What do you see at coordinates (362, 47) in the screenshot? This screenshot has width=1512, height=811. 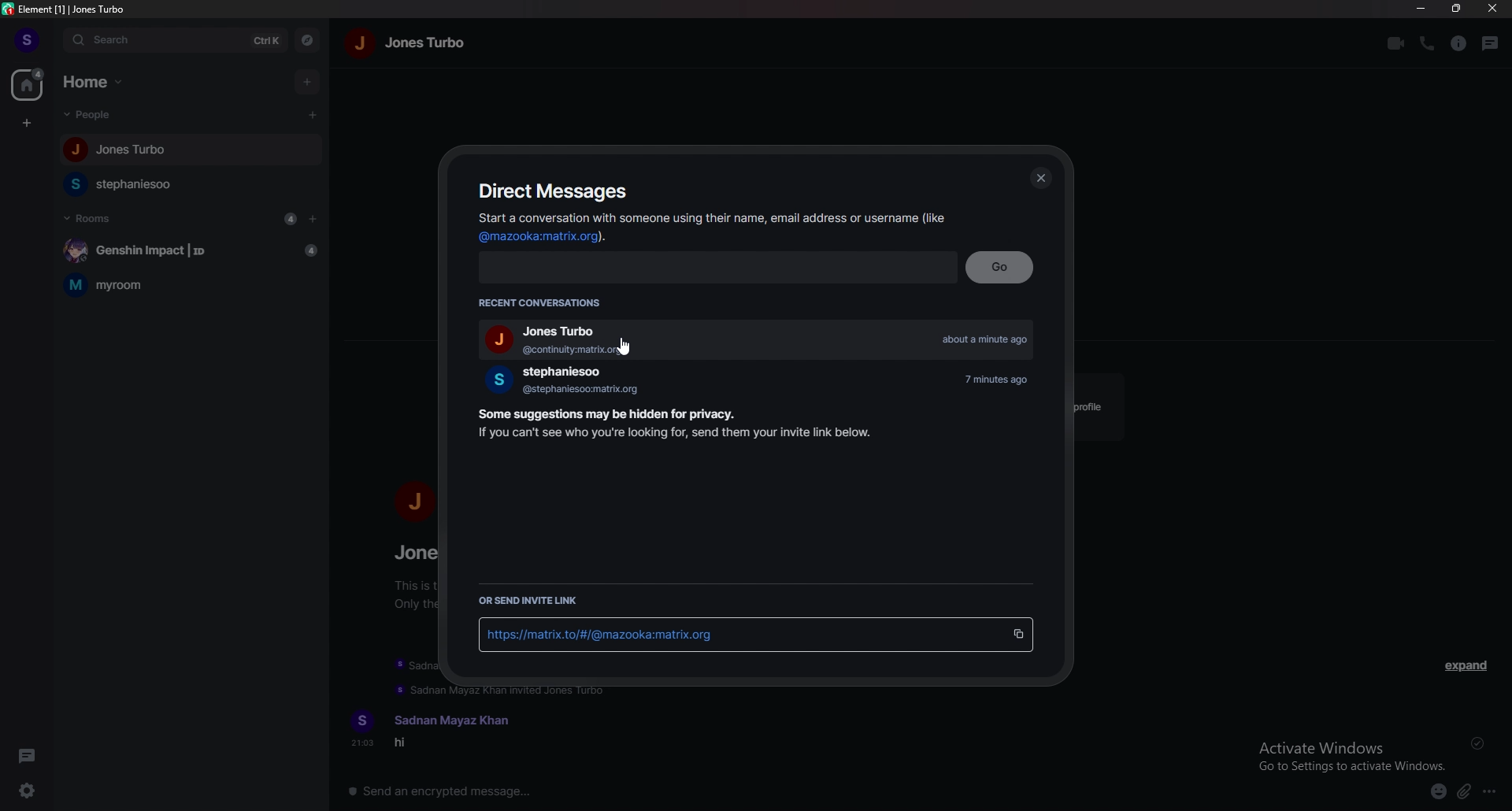 I see `j` at bounding box center [362, 47].